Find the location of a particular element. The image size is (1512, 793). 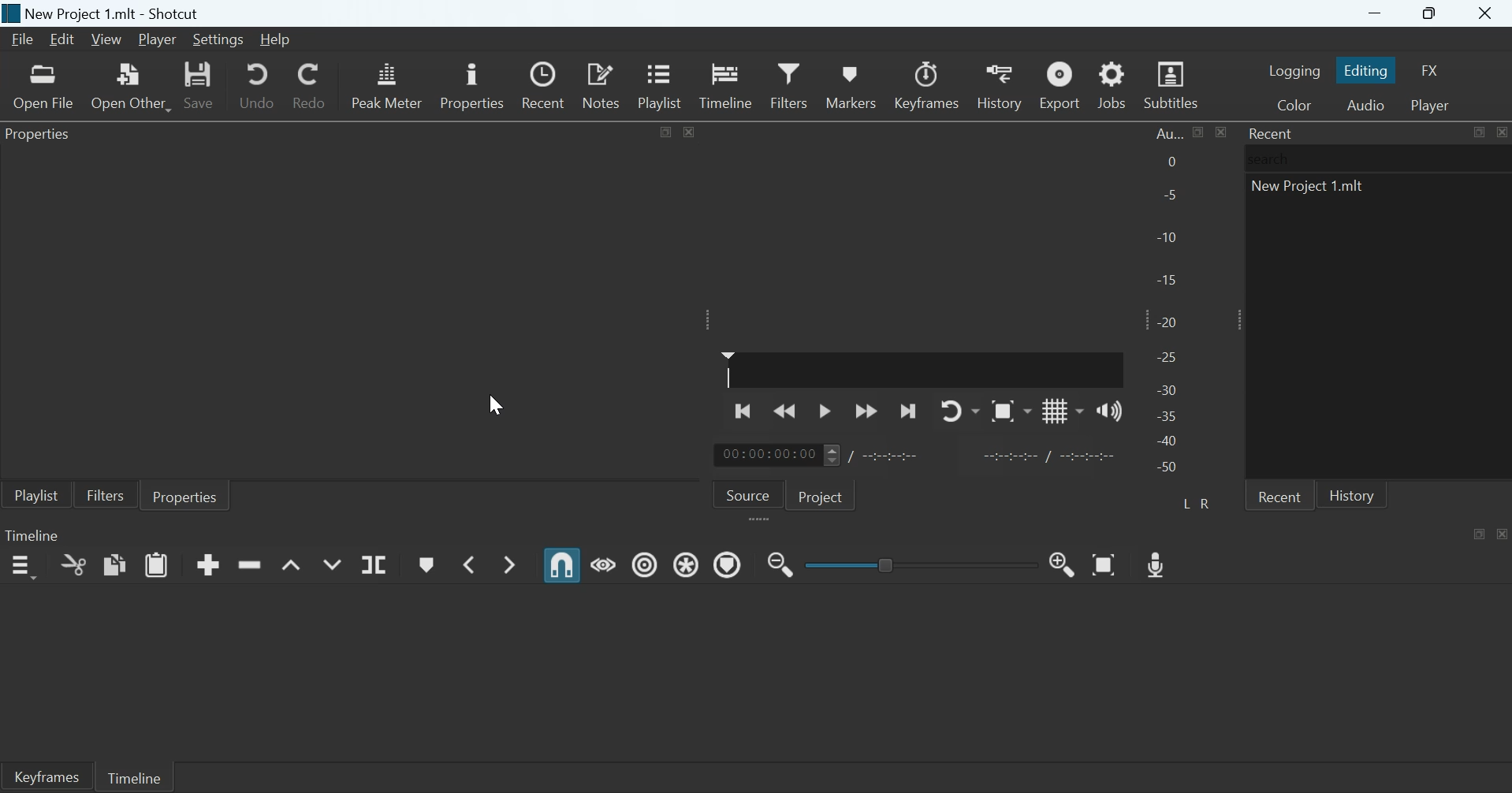

Switch to the effects layout is located at coordinates (1431, 70).